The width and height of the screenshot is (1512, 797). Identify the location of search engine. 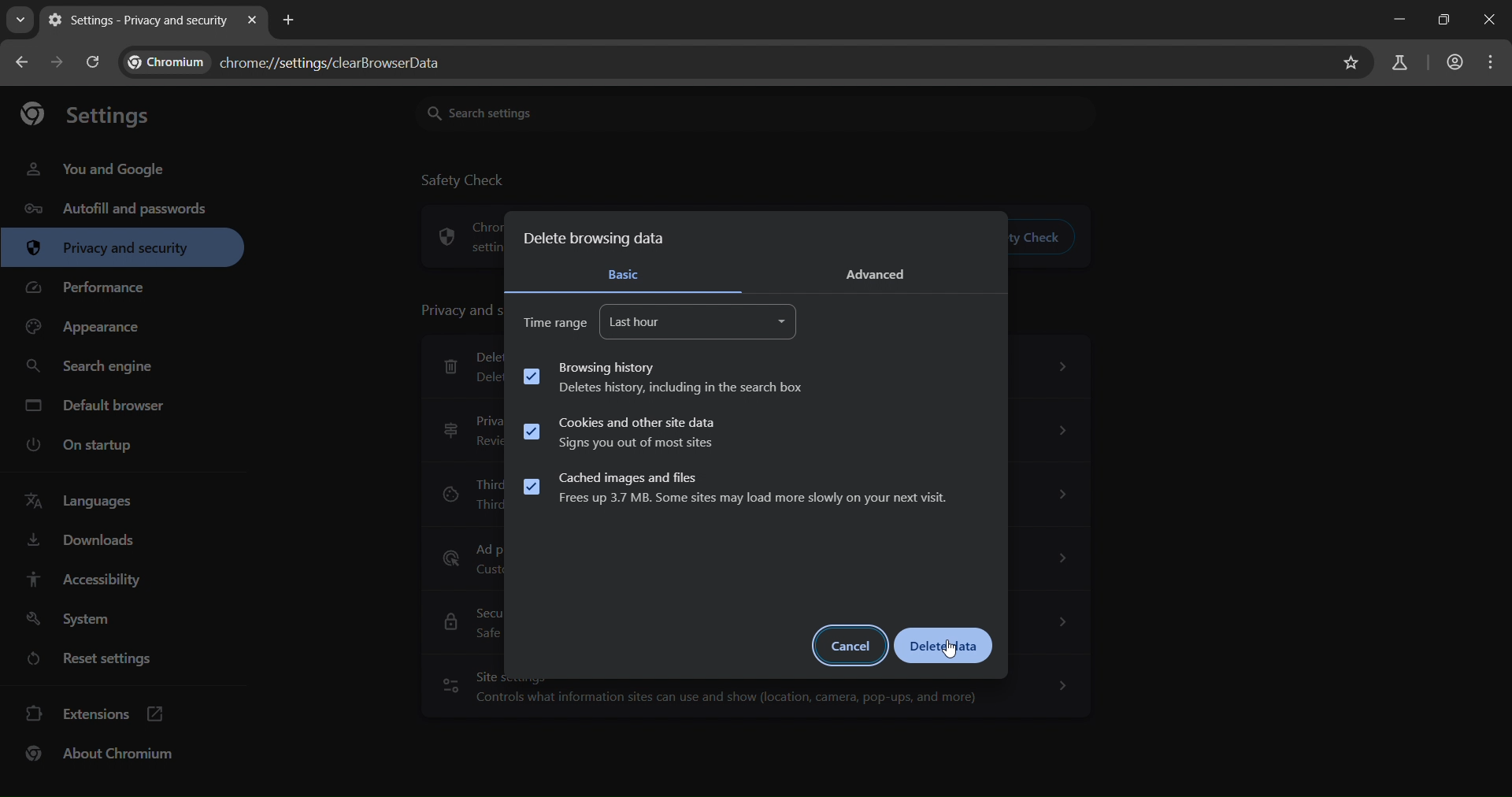
(98, 365).